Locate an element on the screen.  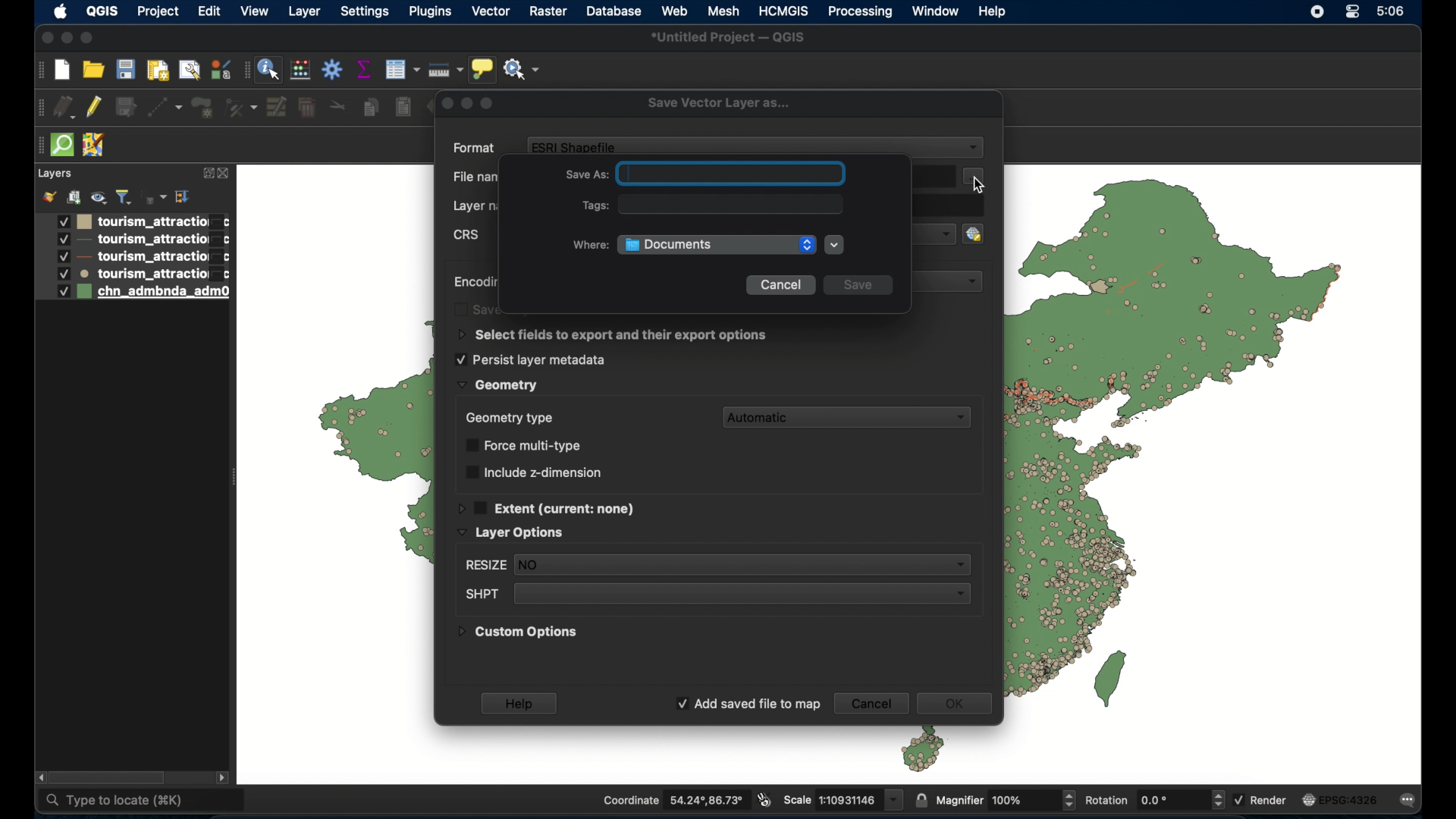
automatic dropdown is located at coordinates (851, 417).